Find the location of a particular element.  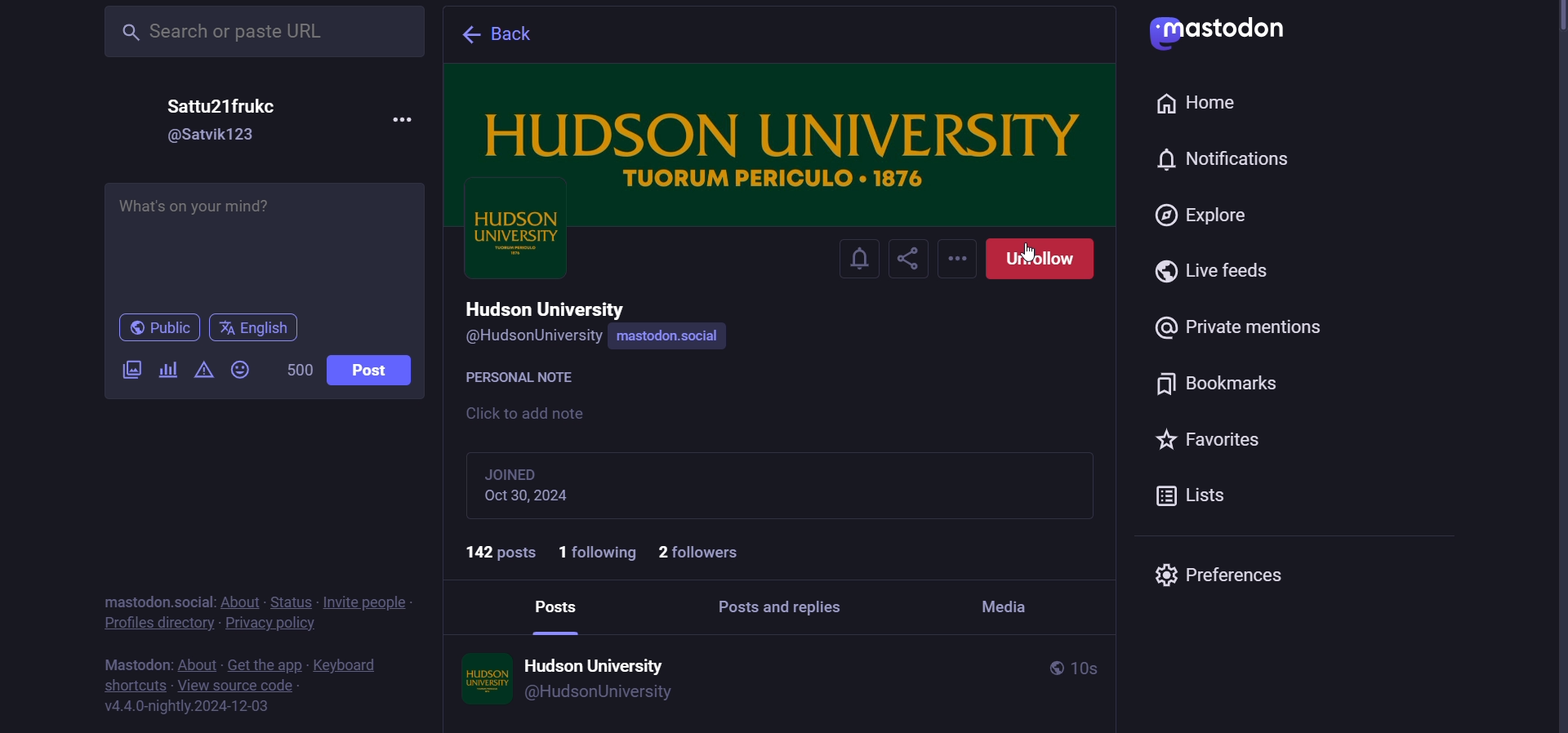

1 follower is located at coordinates (705, 553).